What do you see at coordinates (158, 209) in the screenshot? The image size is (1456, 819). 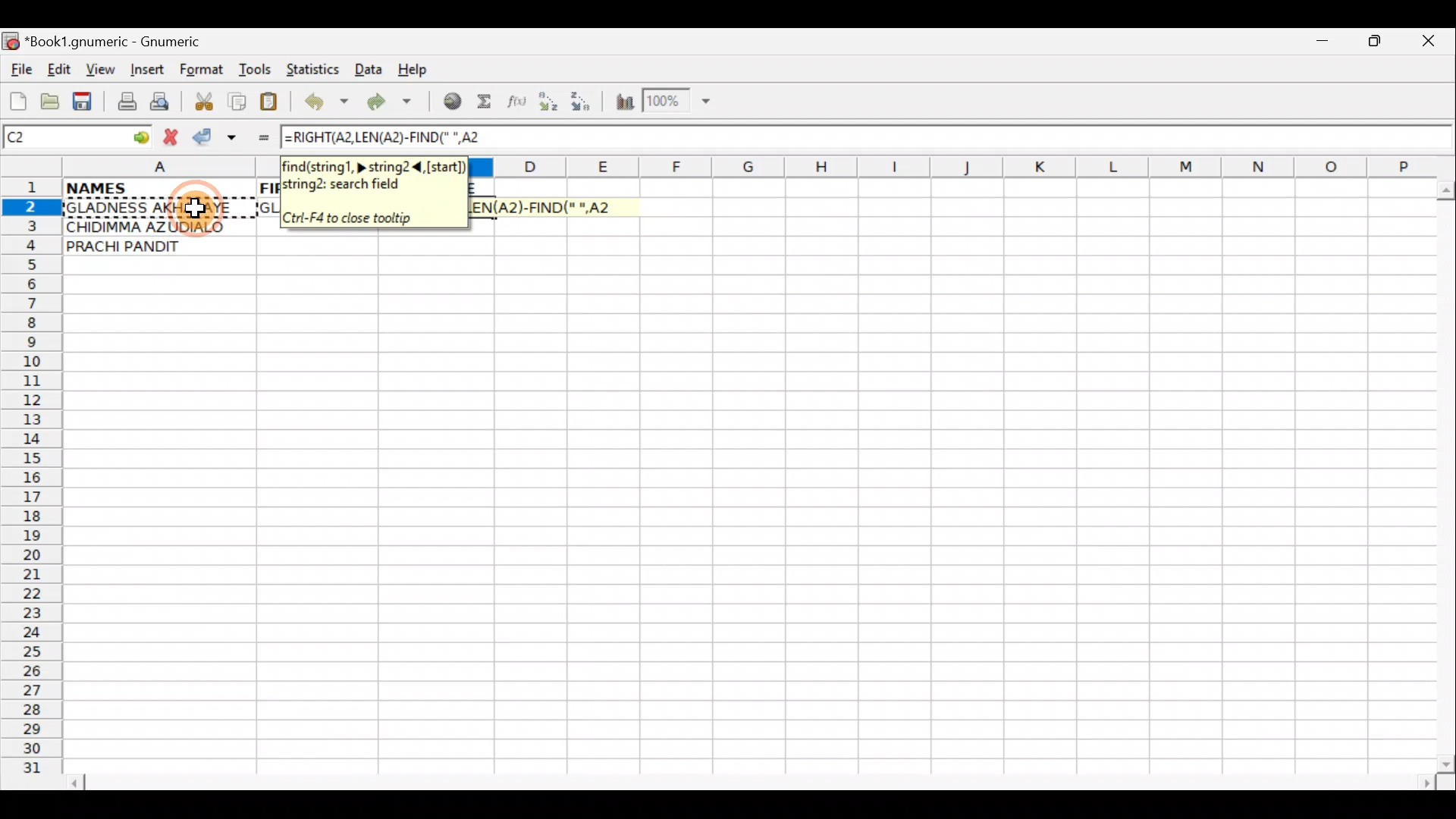 I see `GLADNESS AKHARAYE` at bounding box center [158, 209].